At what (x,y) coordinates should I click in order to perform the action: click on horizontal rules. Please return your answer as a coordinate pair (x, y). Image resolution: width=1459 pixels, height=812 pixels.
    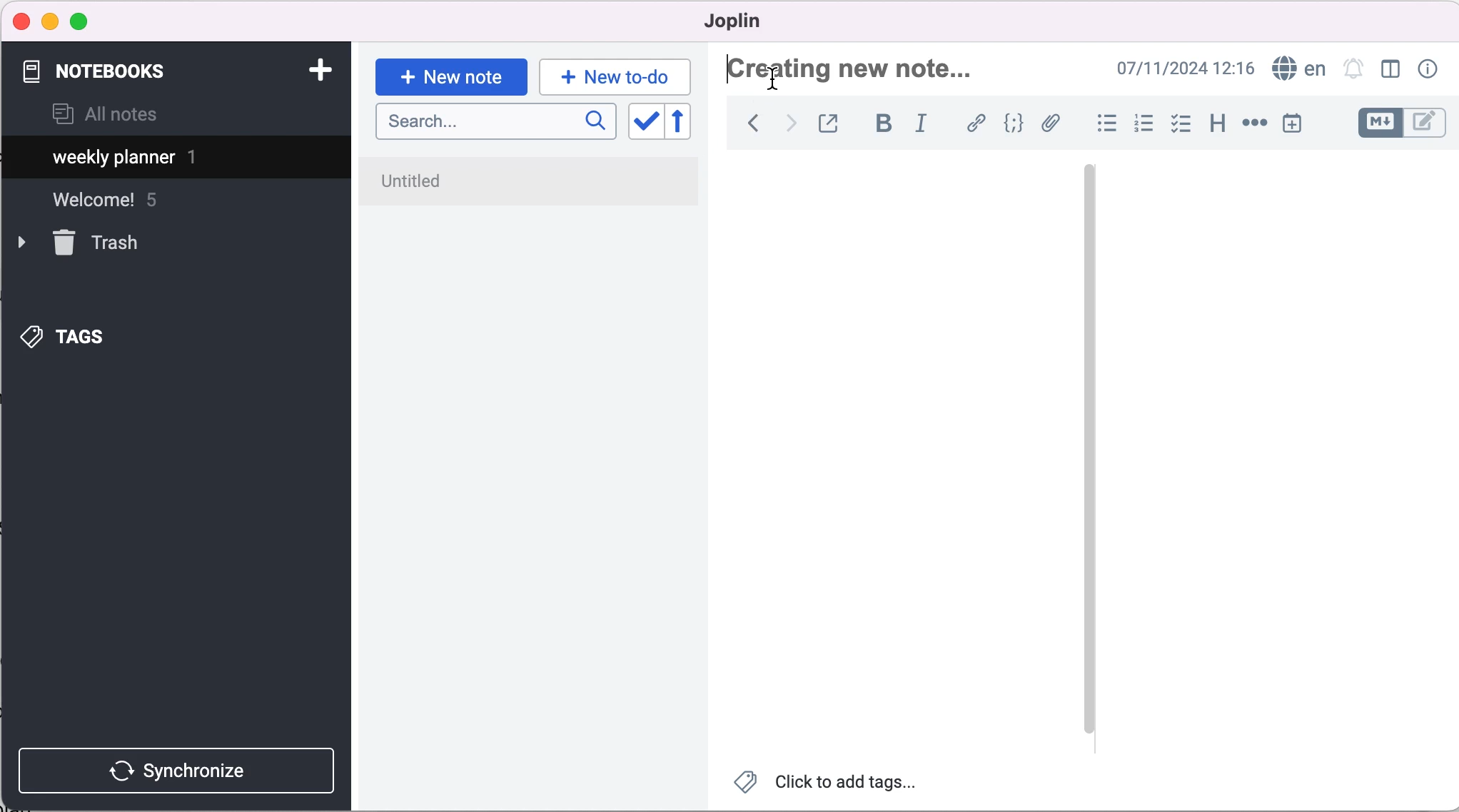
    Looking at the image, I should click on (1252, 124).